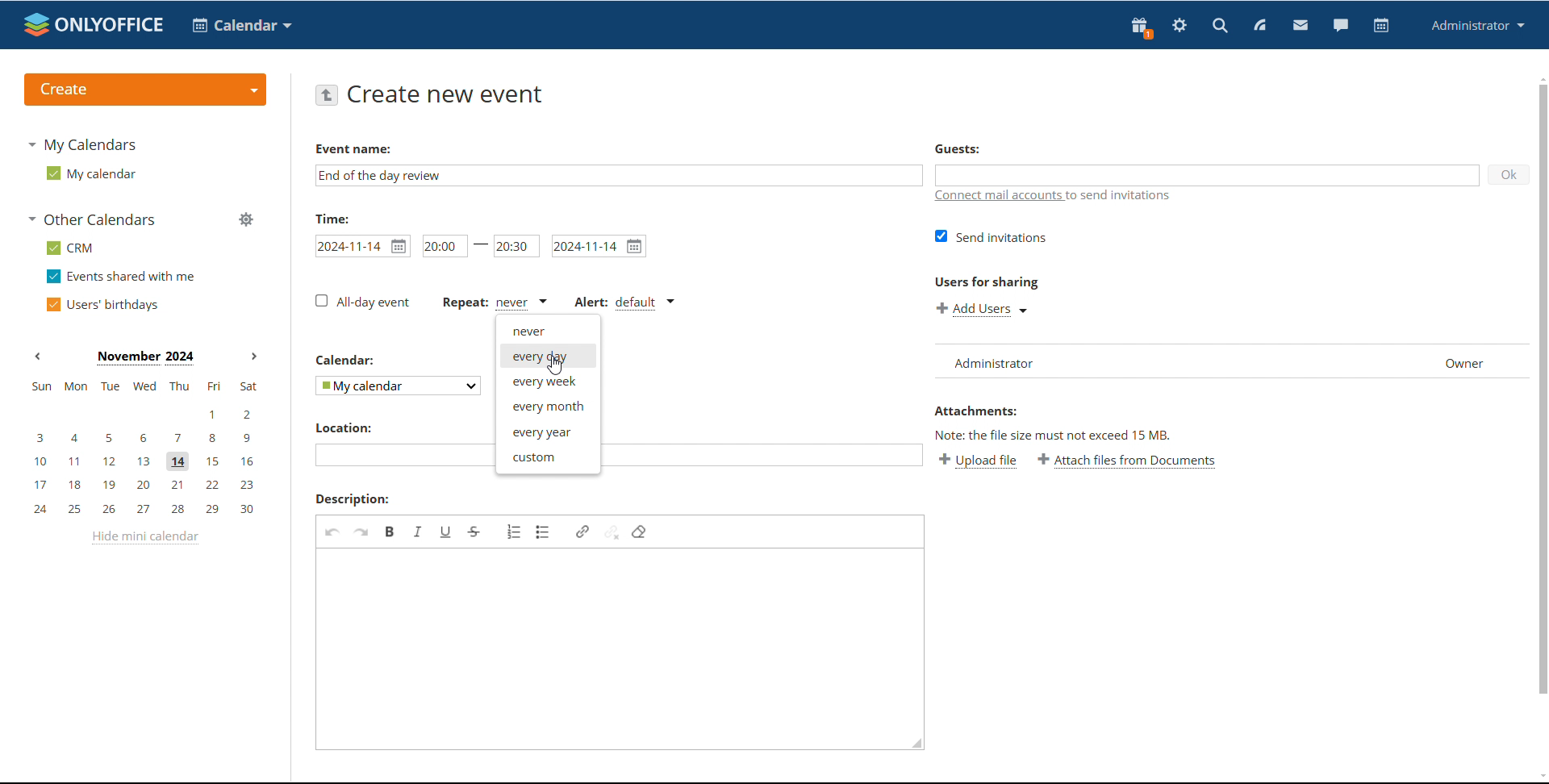 Image resolution: width=1549 pixels, height=784 pixels. Describe the element at coordinates (342, 427) in the screenshot. I see `location` at that location.